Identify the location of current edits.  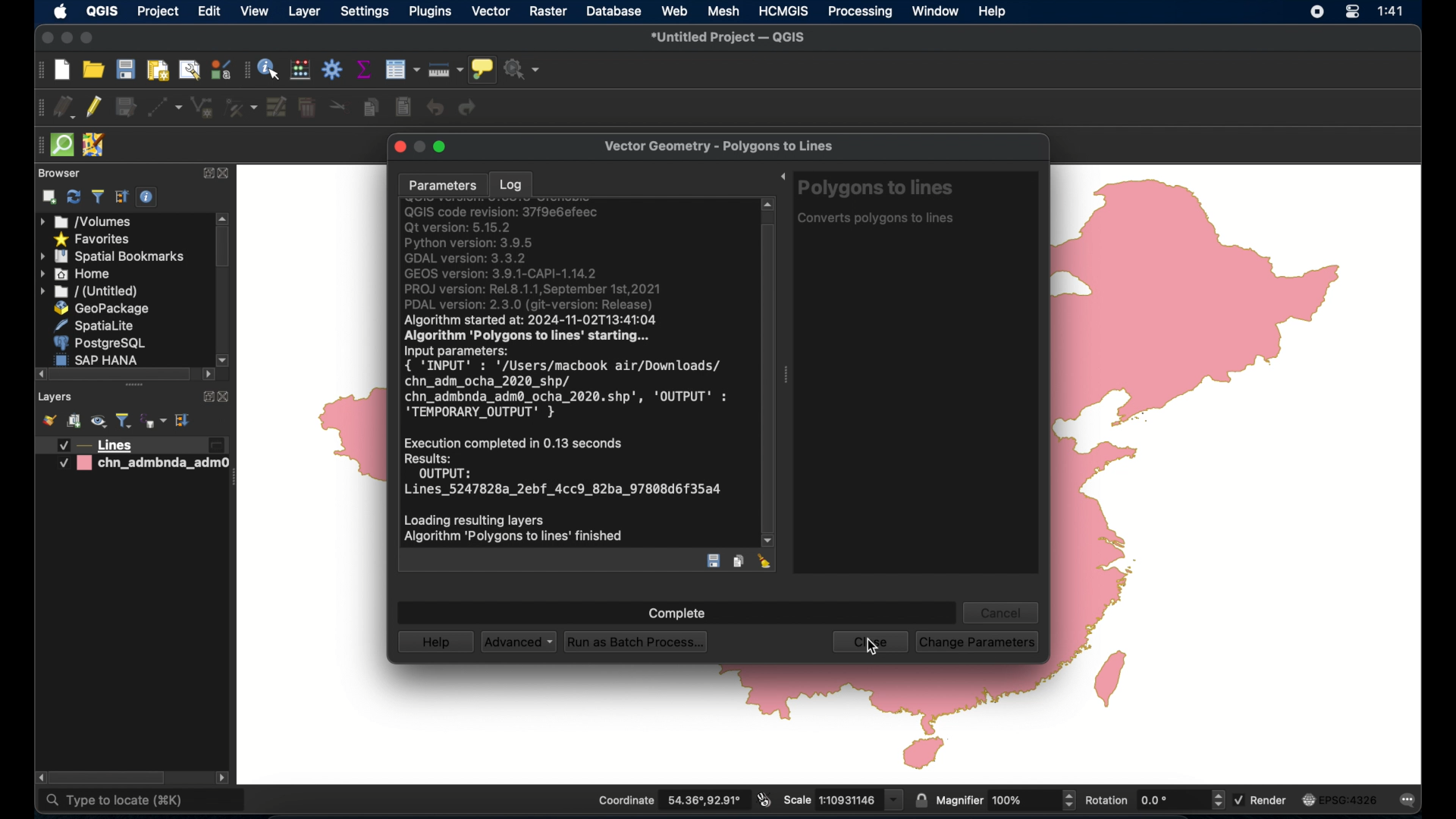
(65, 107).